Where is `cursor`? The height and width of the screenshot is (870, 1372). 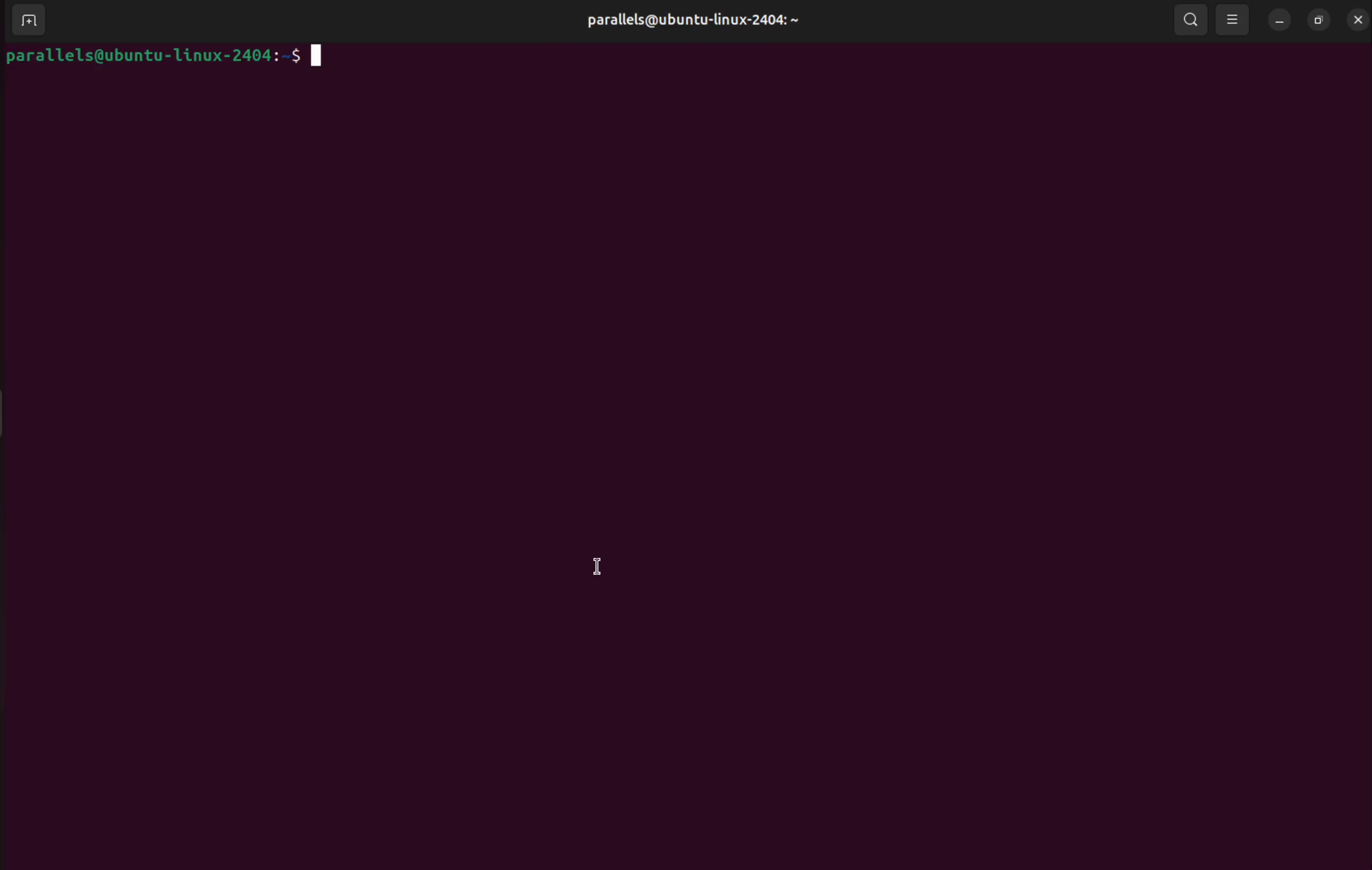
cursor is located at coordinates (596, 568).